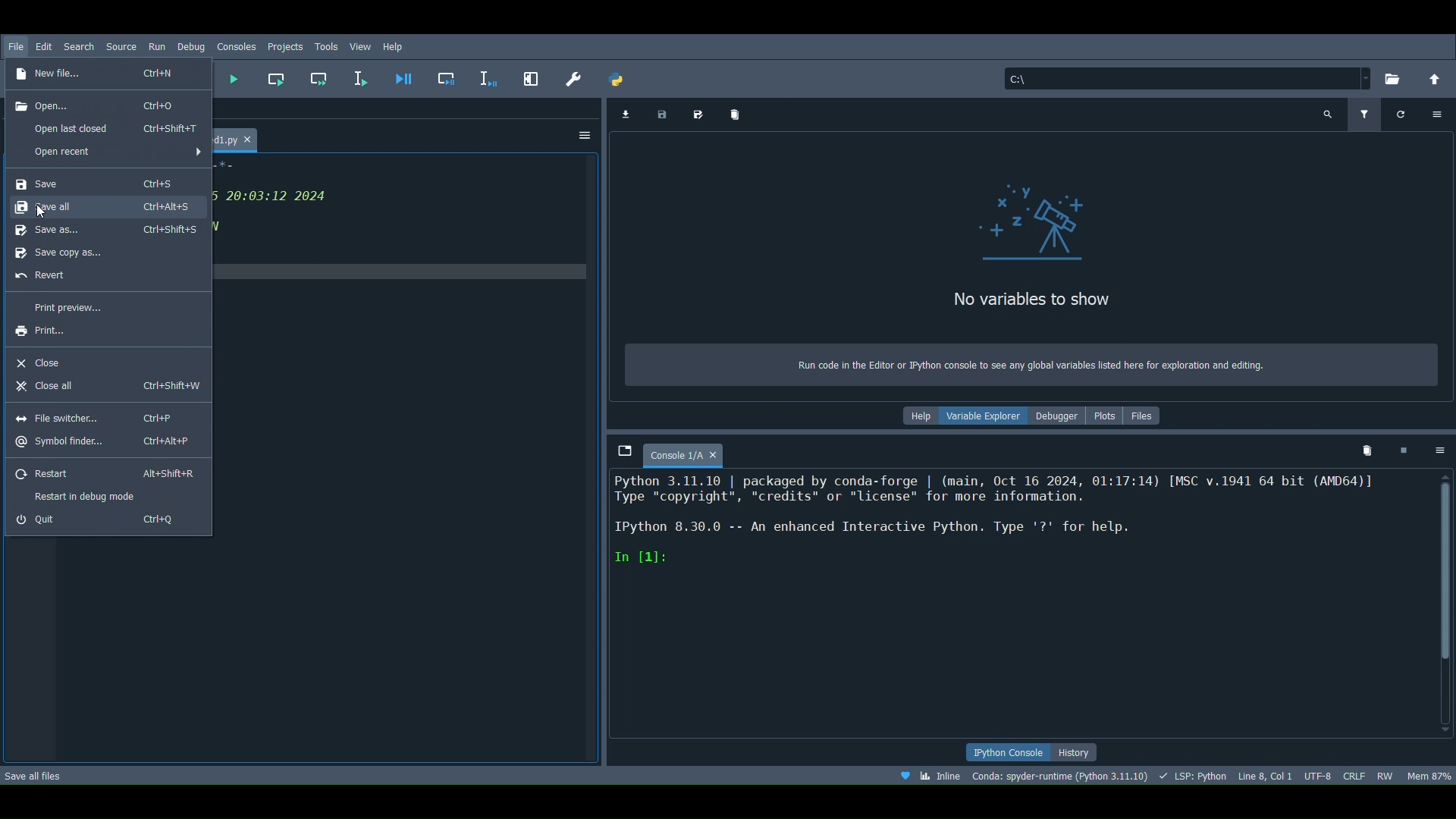  Describe the element at coordinates (95, 359) in the screenshot. I see `Close` at that location.